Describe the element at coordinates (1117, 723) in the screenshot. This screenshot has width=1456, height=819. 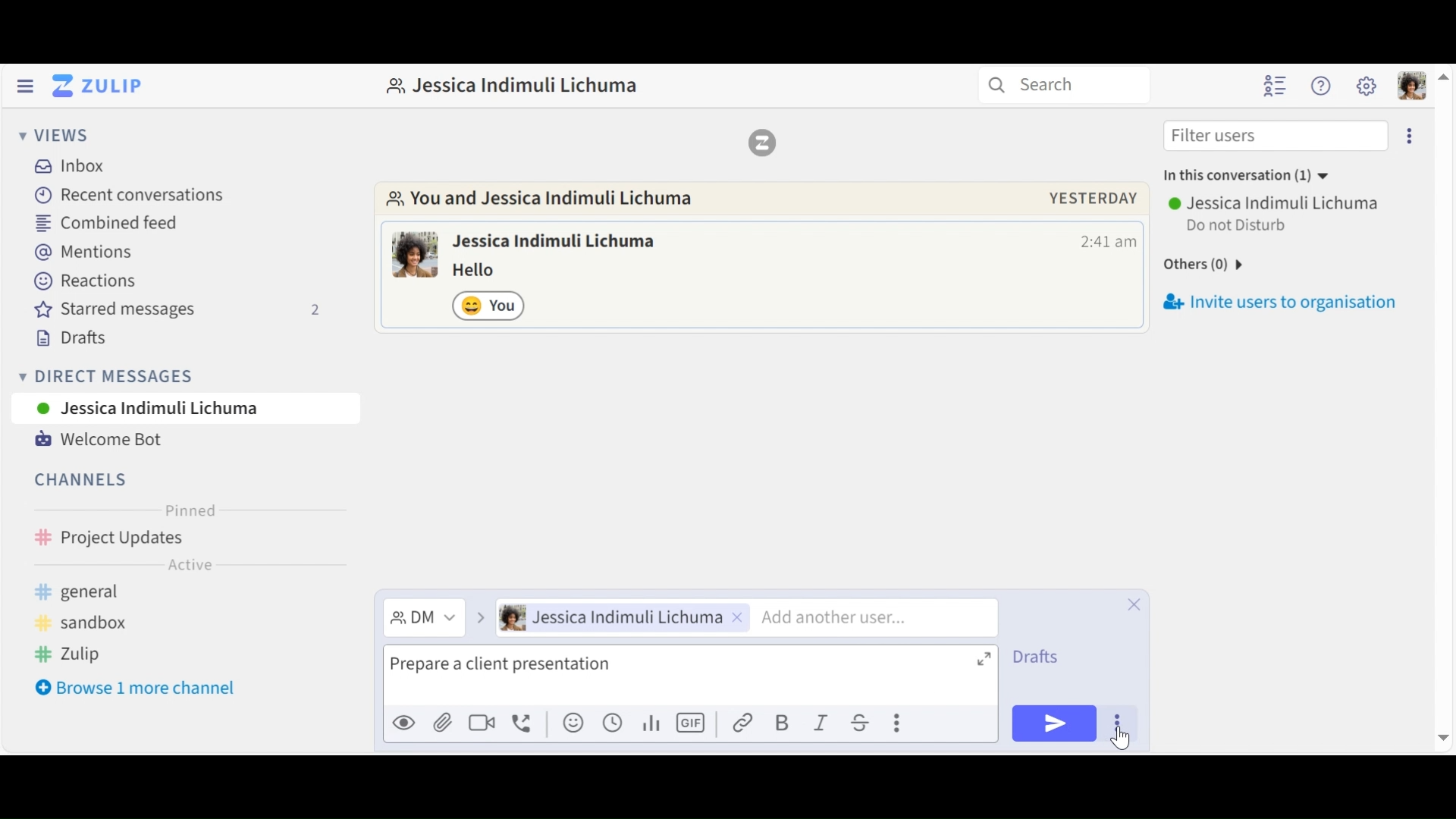
I see `Send options` at that location.